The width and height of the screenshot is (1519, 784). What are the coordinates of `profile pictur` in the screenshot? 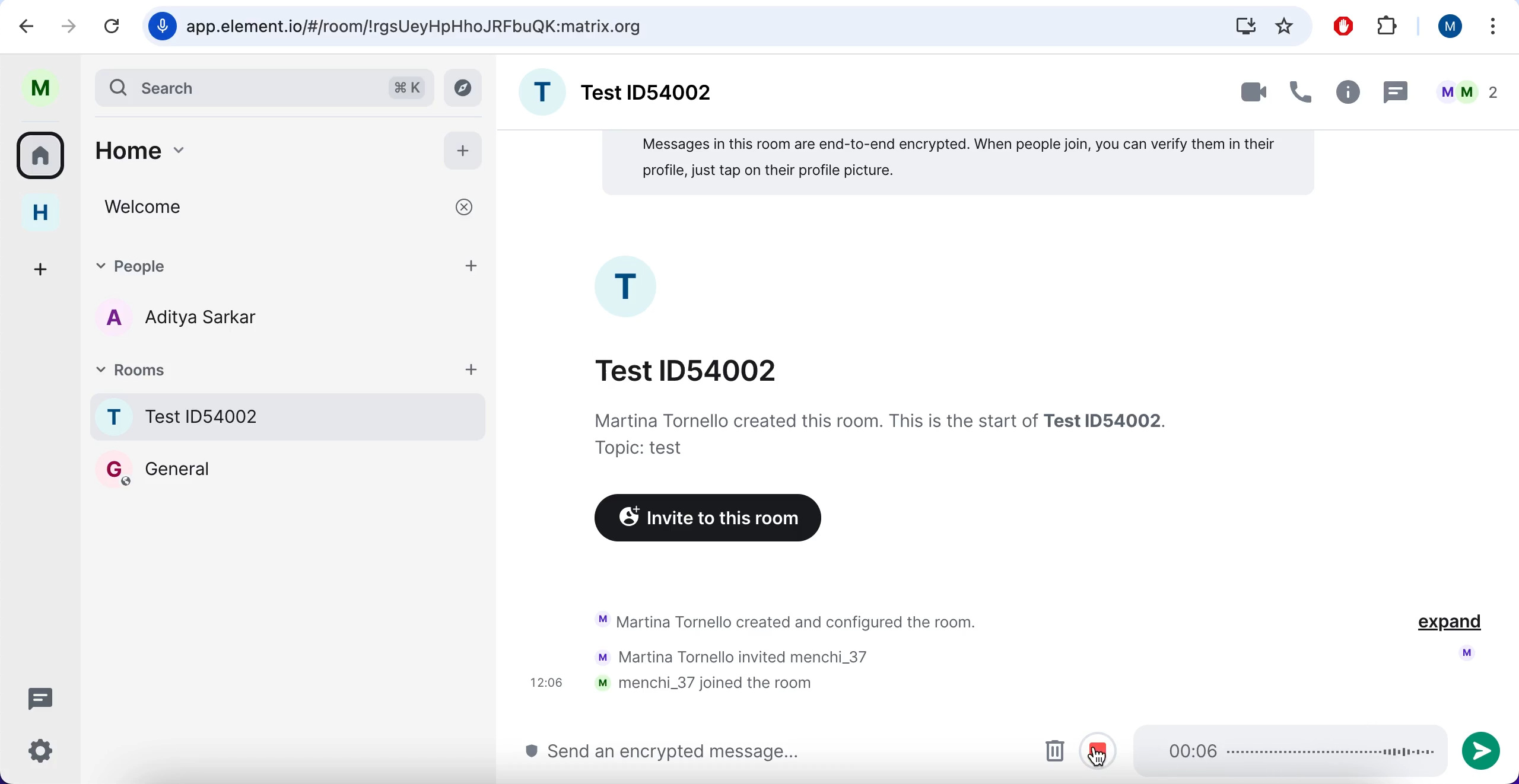 It's located at (1464, 653).